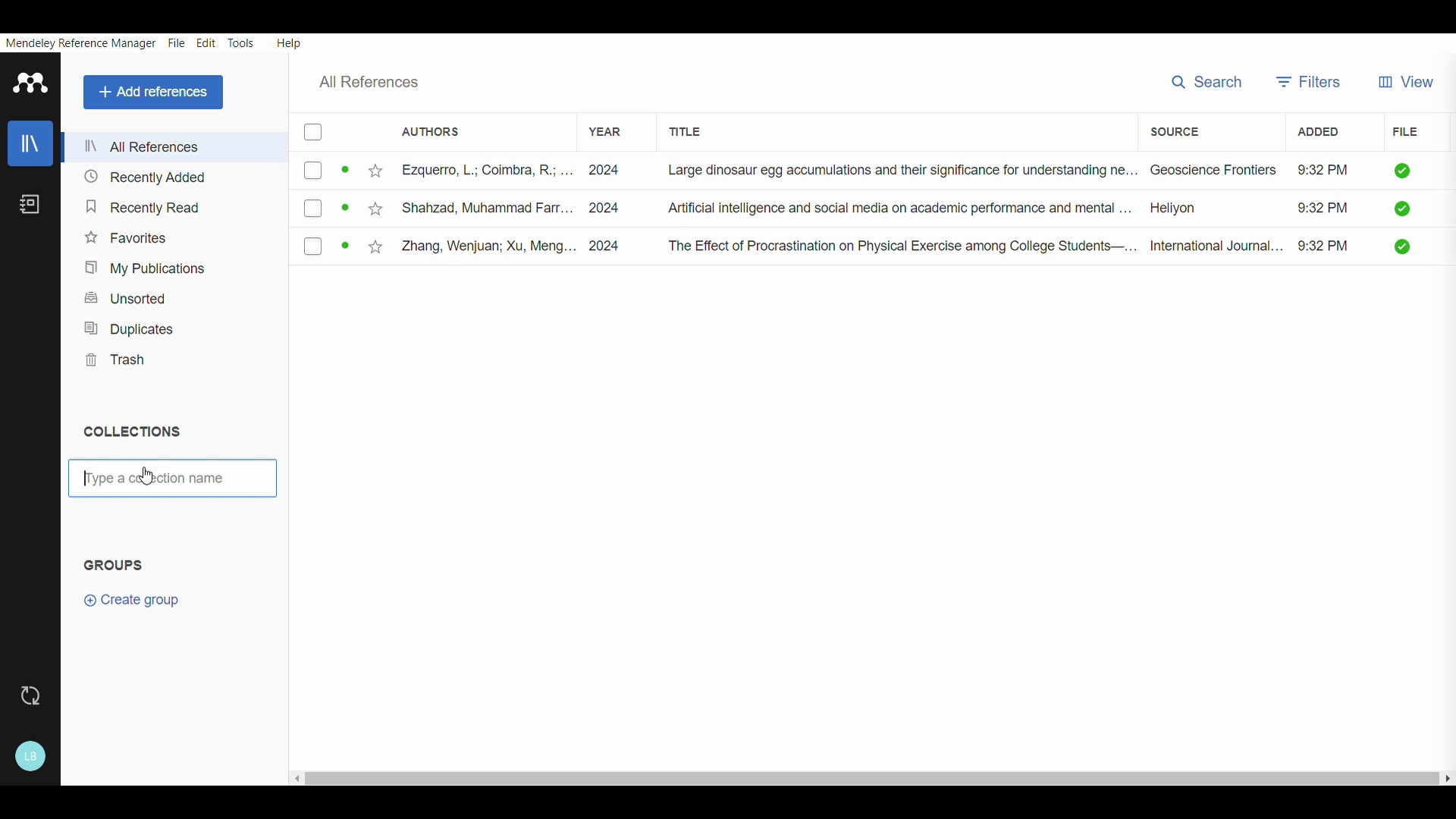 This screenshot has height=819, width=1456. I want to click on Zhang, Wenjuan; Xu, Meng..., so click(467, 246).